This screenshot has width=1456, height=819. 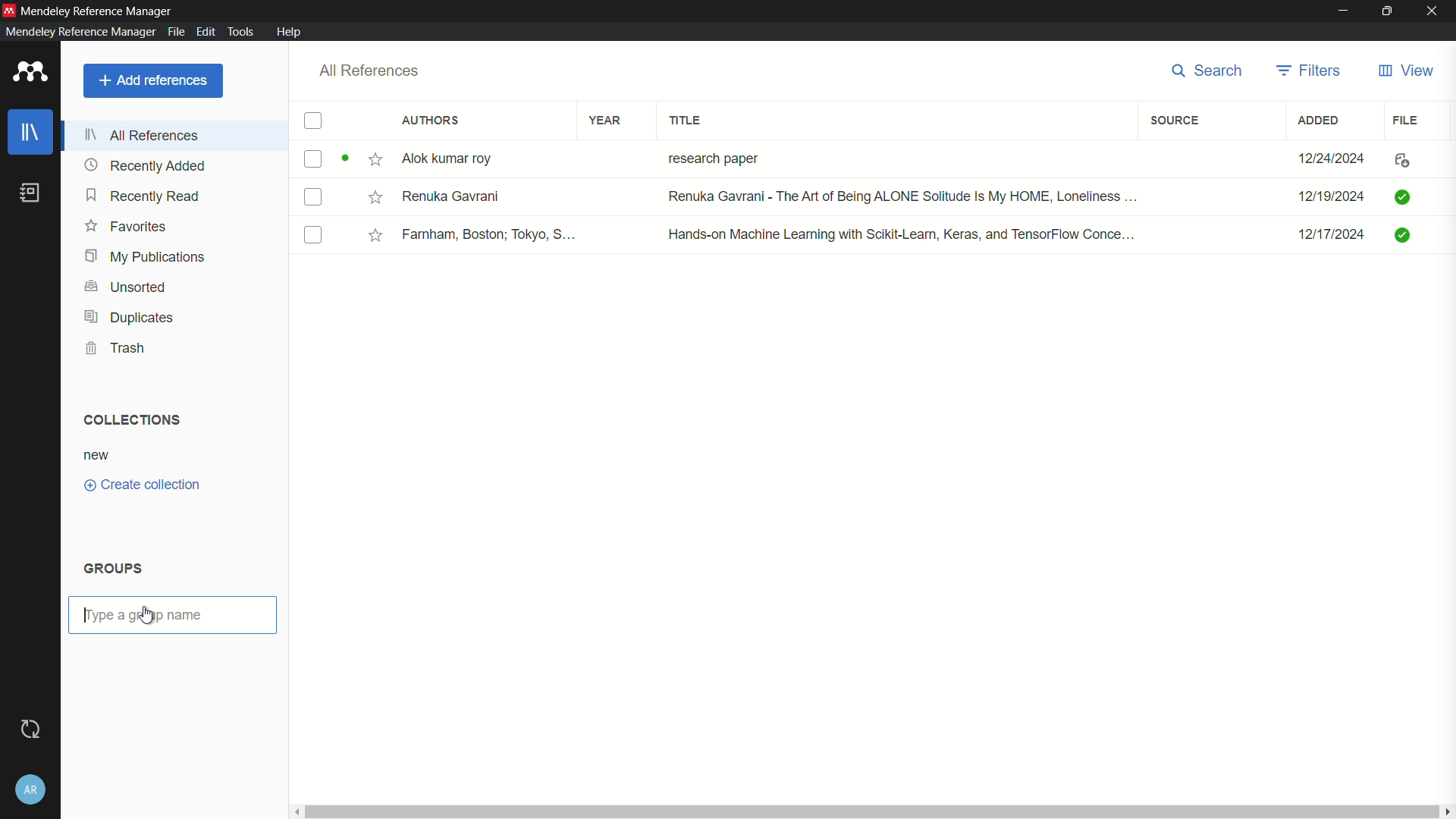 What do you see at coordinates (452, 160) in the screenshot?
I see `Alok Kumar Rou` at bounding box center [452, 160].